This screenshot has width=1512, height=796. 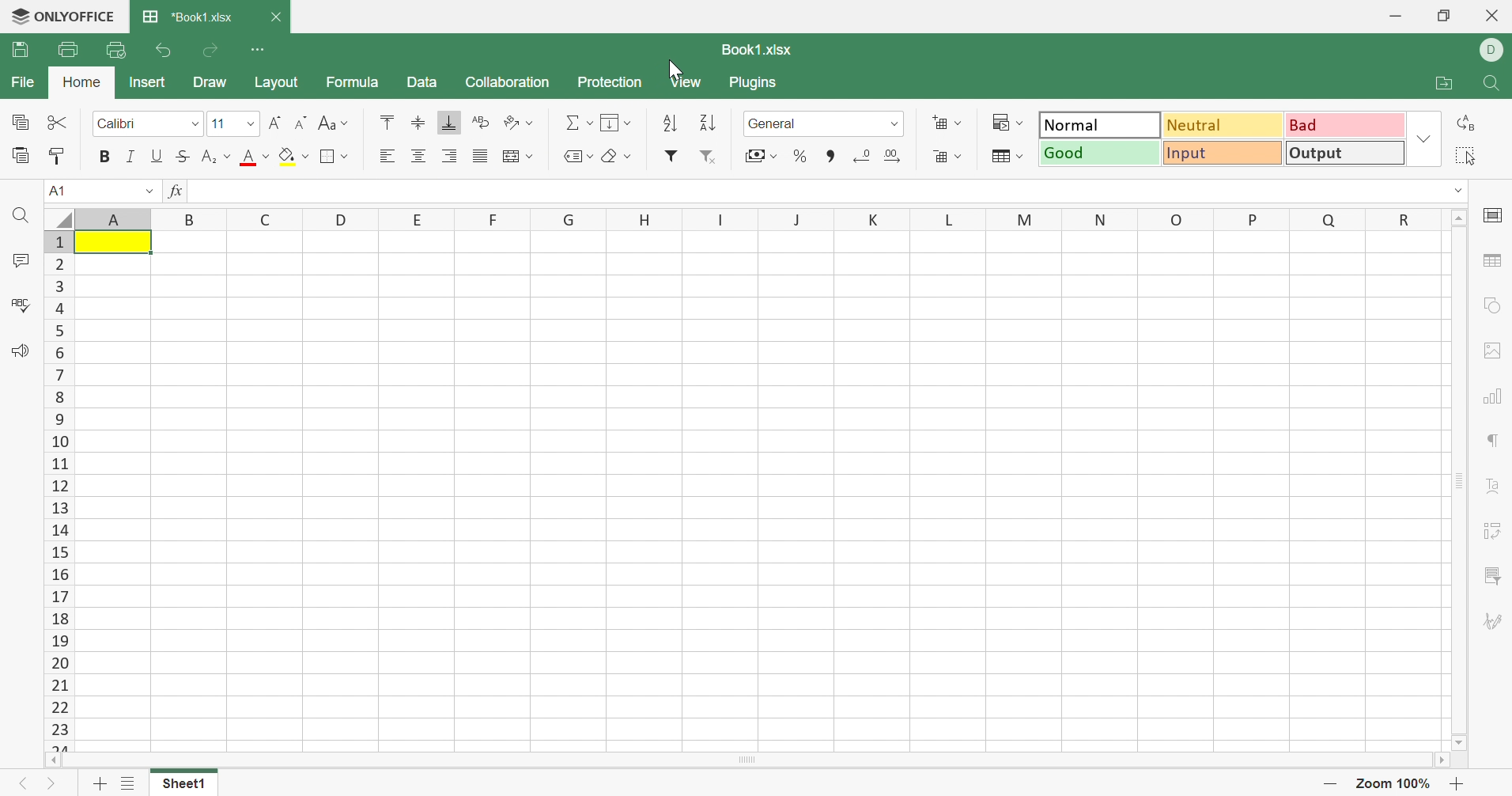 What do you see at coordinates (275, 15) in the screenshot?
I see `Close` at bounding box center [275, 15].